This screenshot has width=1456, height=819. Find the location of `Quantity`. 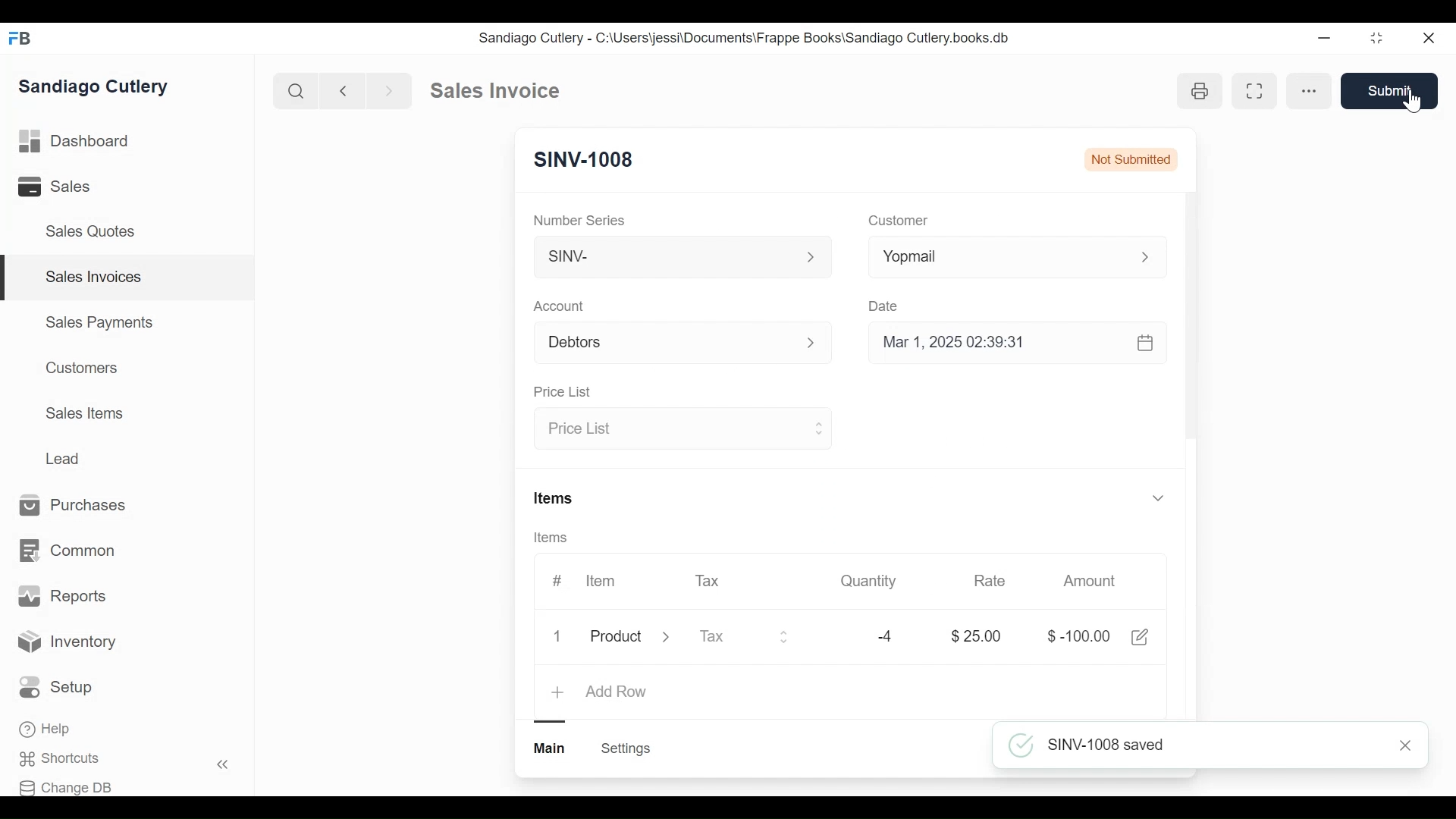

Quantity is located at coordinates (871, 582).